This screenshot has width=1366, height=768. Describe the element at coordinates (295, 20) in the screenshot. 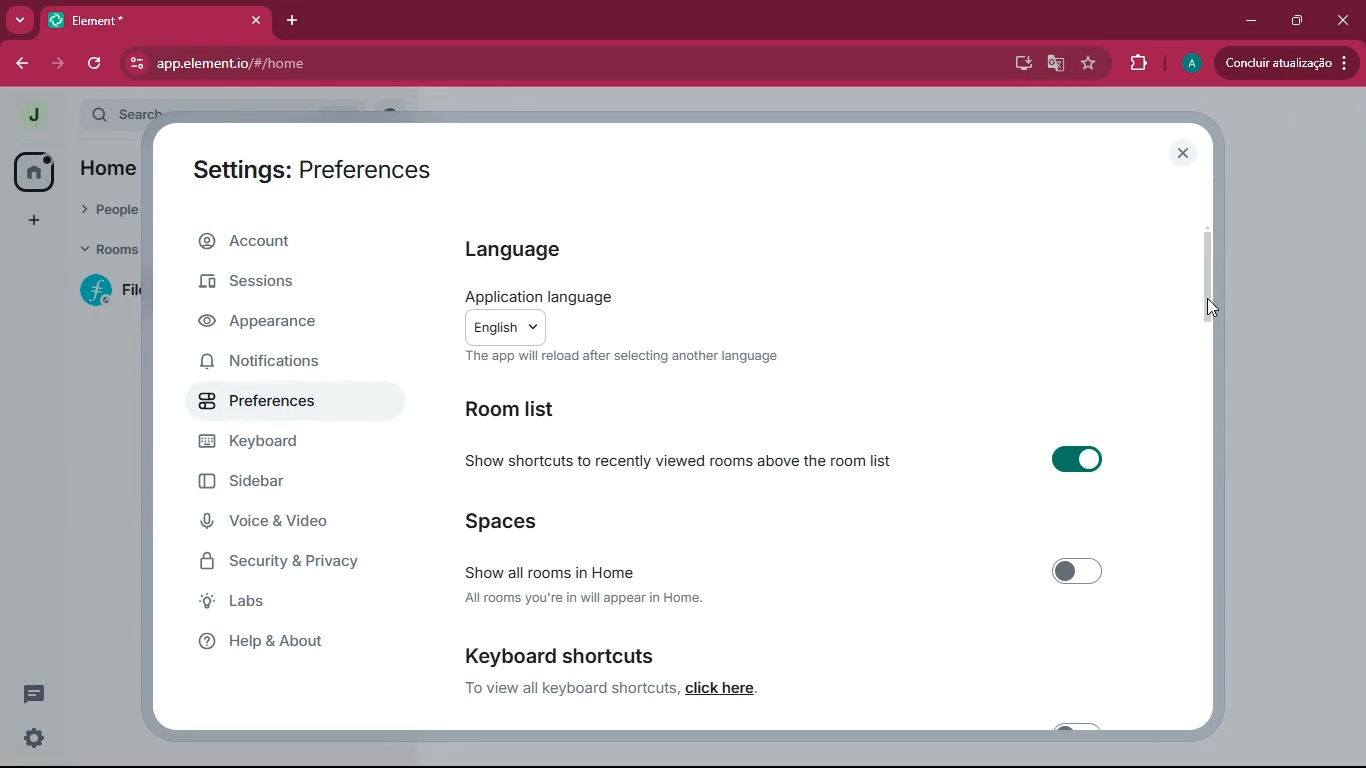

I see `add tab` at that location.